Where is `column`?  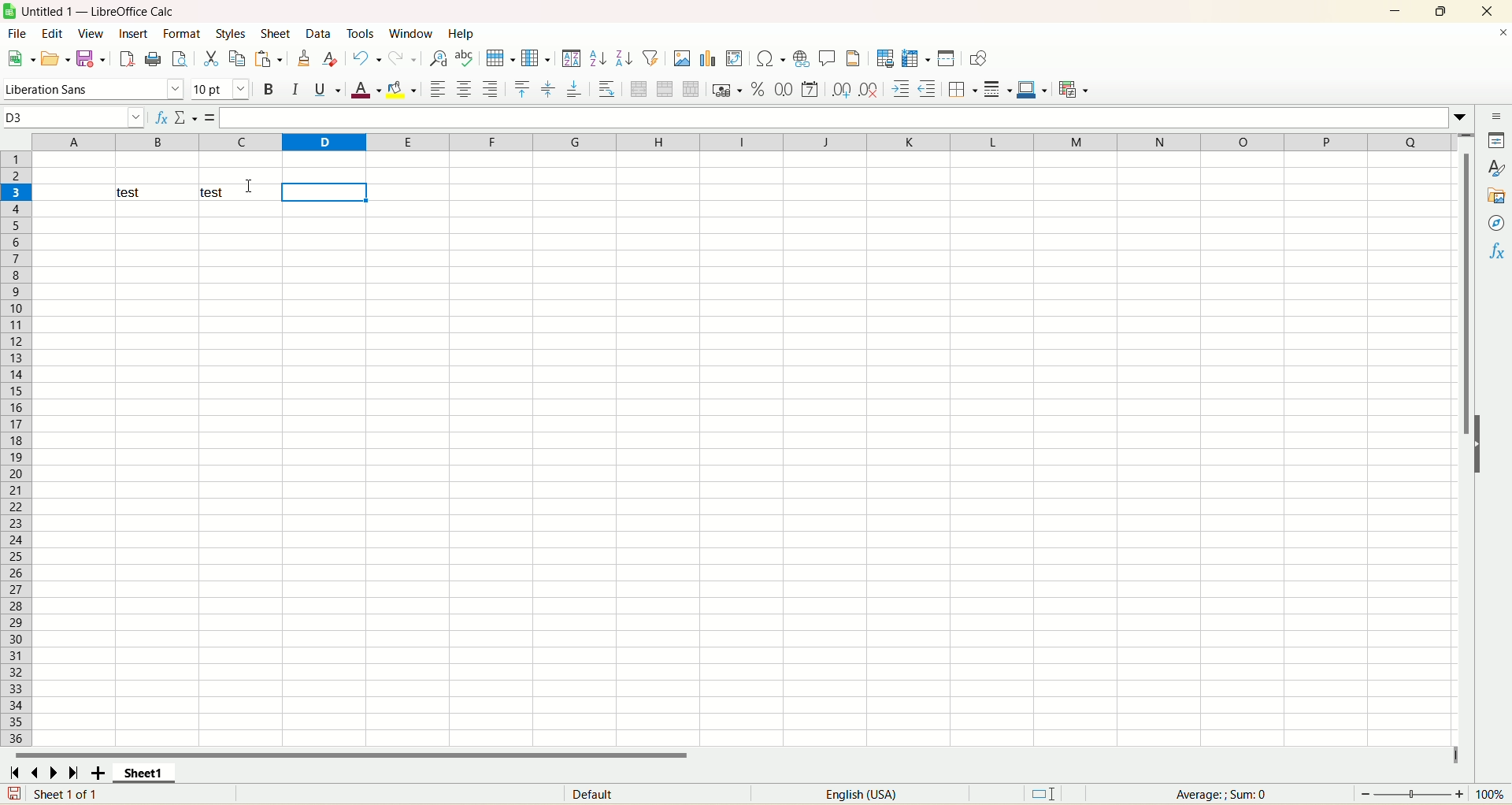
column is located at coordinates (535, 57).